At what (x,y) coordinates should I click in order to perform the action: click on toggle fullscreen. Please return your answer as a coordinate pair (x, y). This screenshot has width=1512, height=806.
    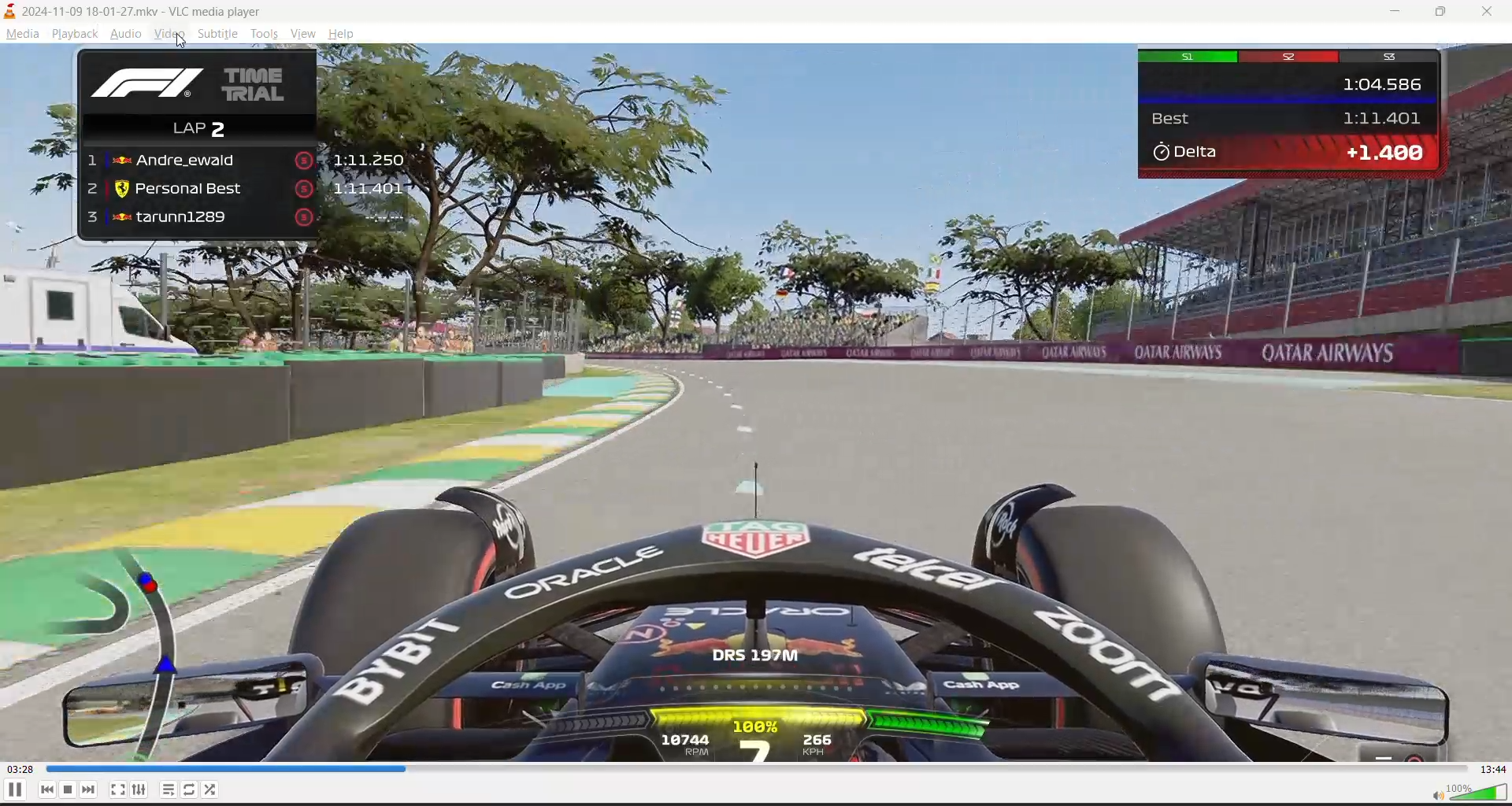
    Looking at the image, I should click on (117, 789).